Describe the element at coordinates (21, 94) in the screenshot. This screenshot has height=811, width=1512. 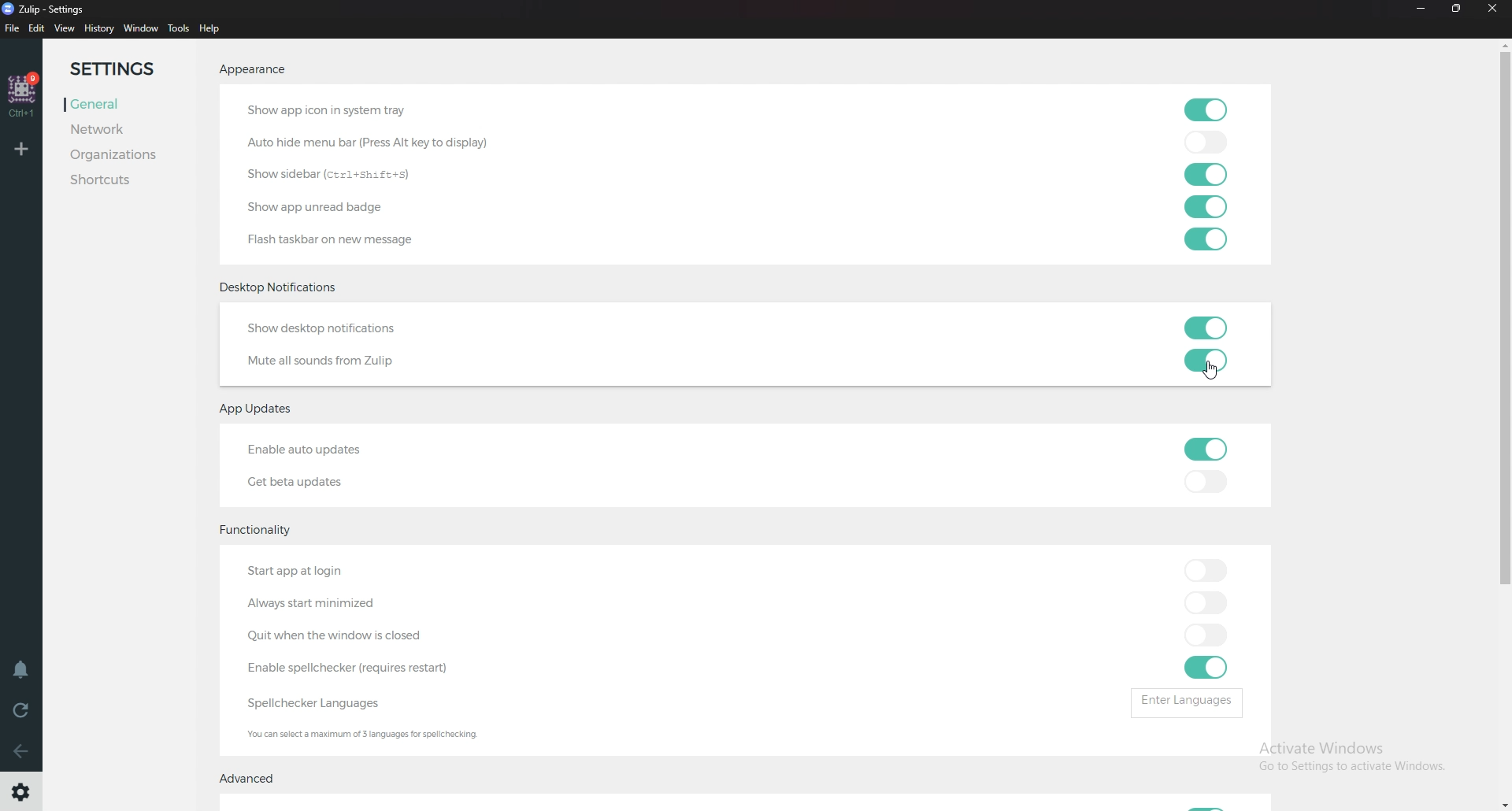
I see `home` at that location.